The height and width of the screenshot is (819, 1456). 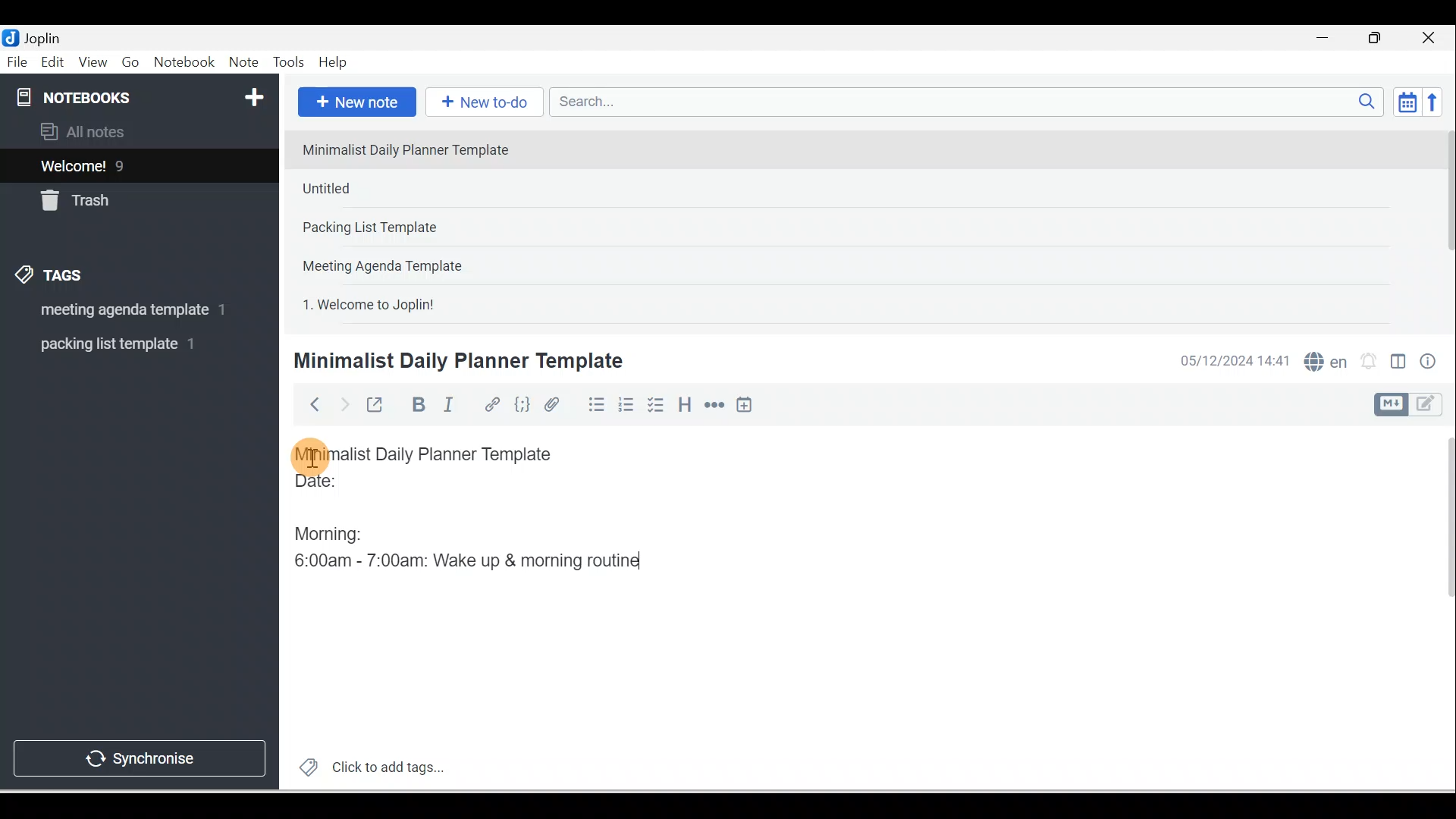 What do you see at coordinates (1327, 39) in the screenshot?
I see `Minimise` at bounding box center [1327, 39].